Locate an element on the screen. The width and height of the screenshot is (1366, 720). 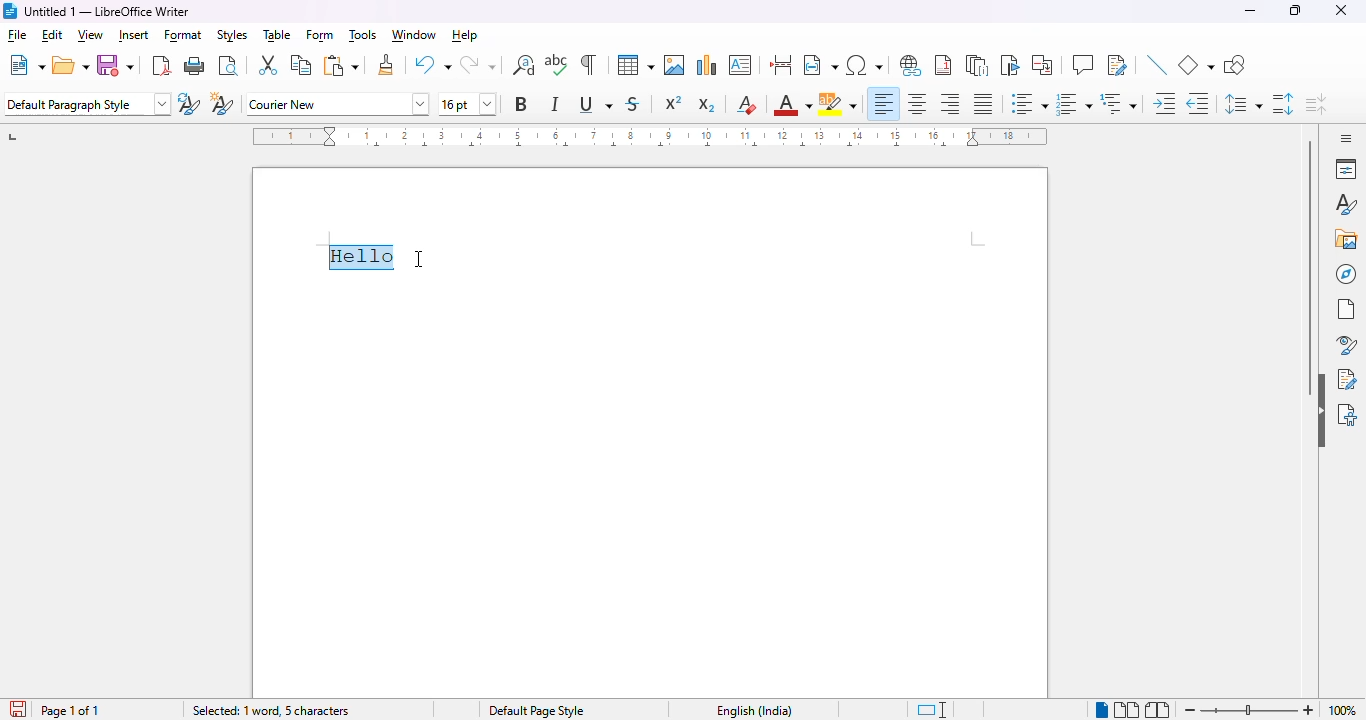
insert table is located at coordinates (636, 64).